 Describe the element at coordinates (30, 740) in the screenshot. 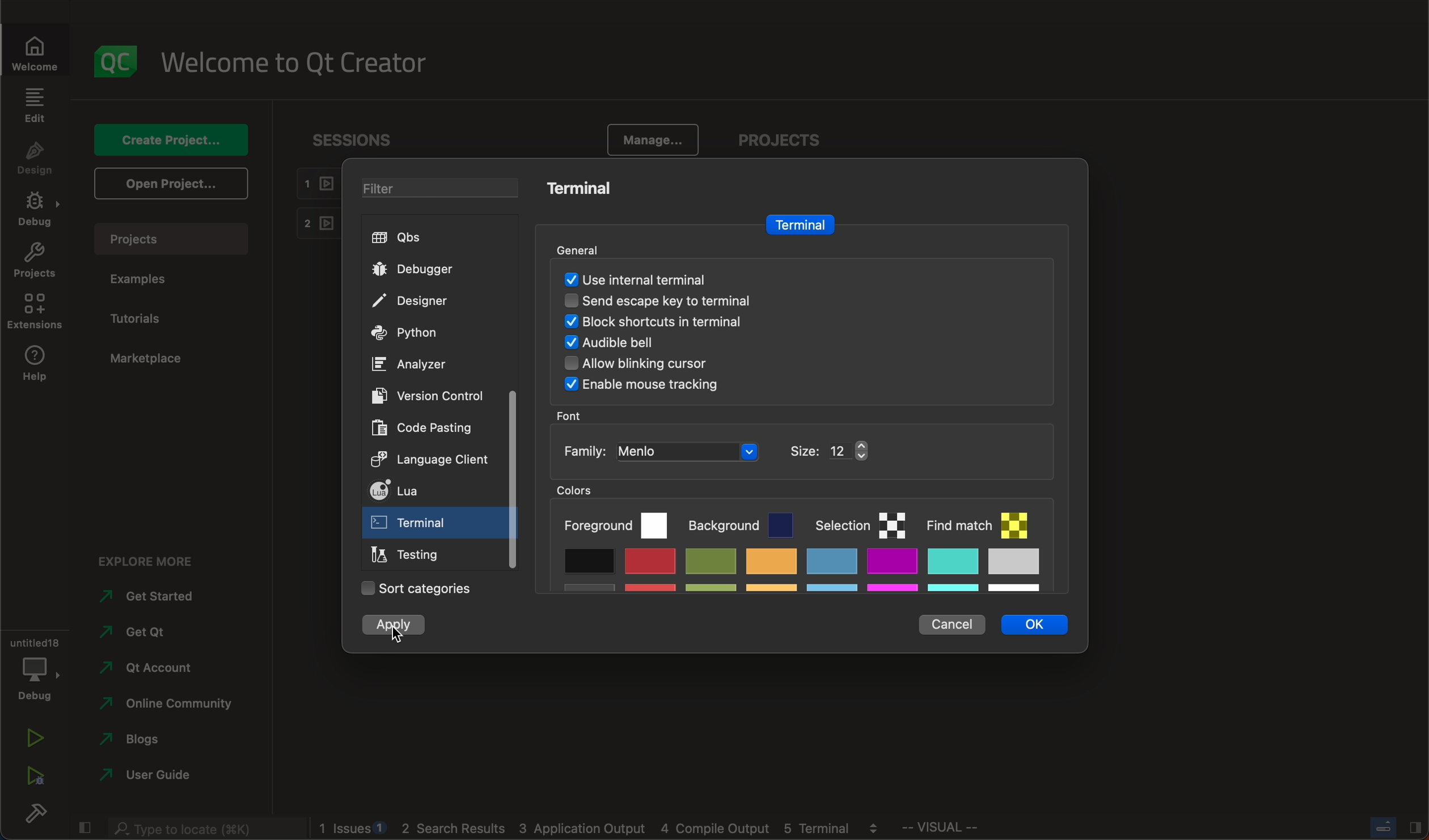

I see `run` at that location.